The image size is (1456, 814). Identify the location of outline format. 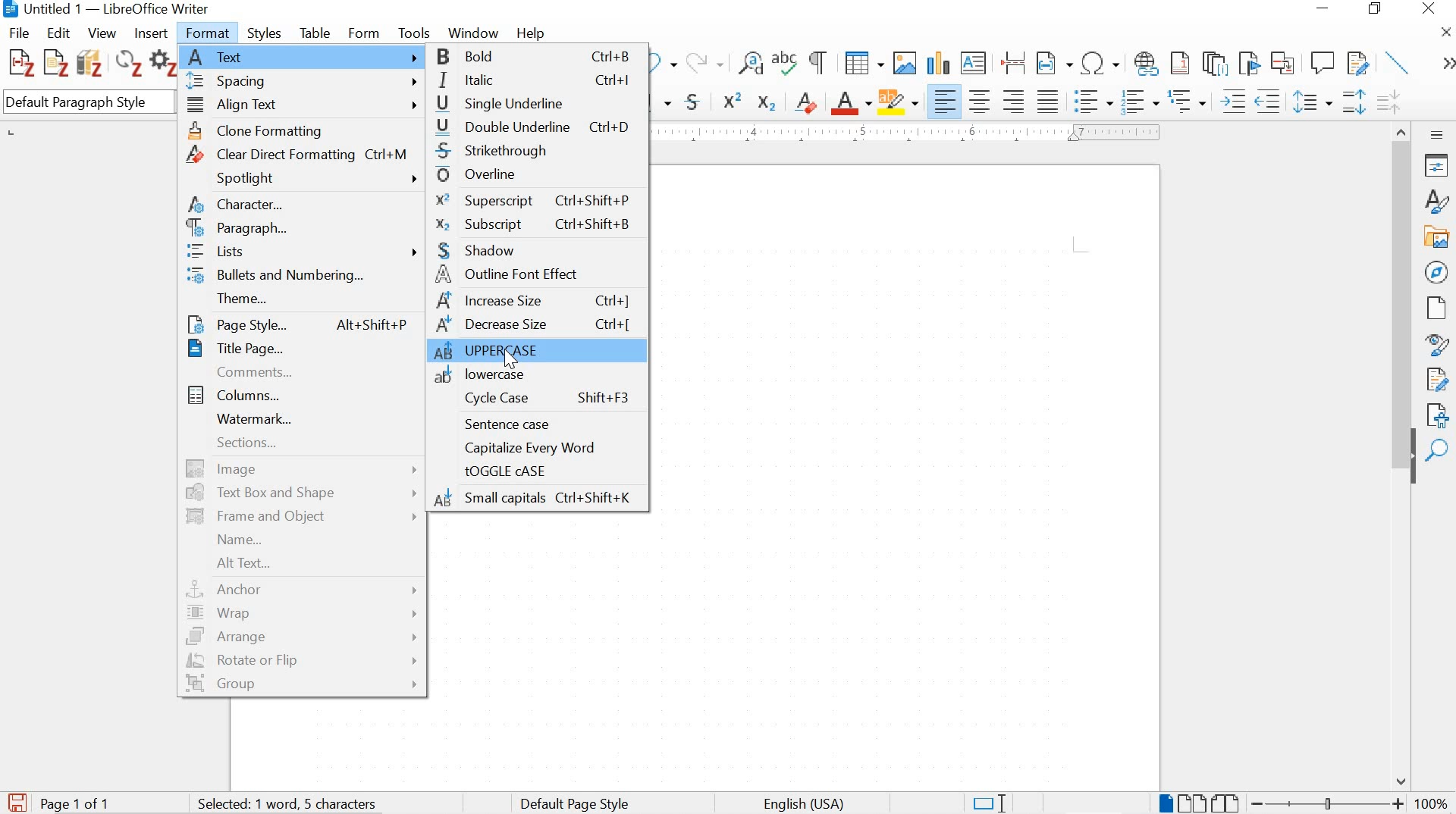
(1188, 102).